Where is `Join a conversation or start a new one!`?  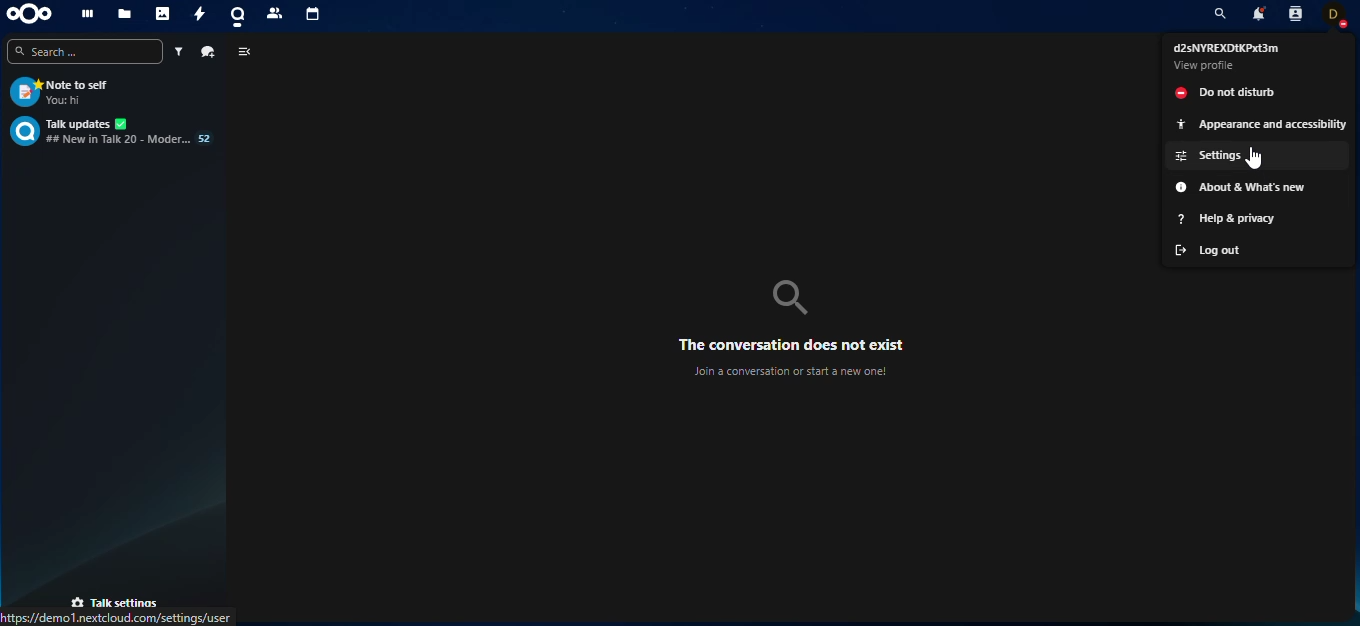 Join a conversation or start a new one! is located at coordinates (789, 371).